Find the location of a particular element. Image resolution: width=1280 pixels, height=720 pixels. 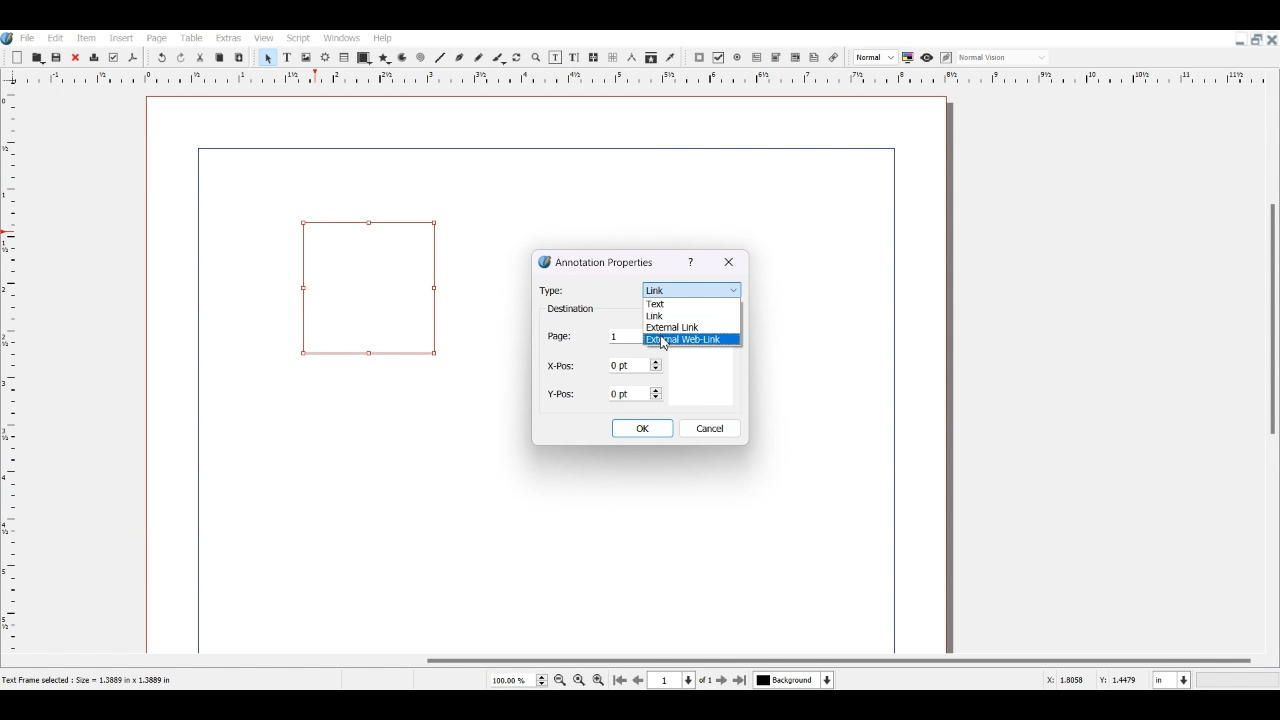

Rotate Item is located at coordinates (518, 58).